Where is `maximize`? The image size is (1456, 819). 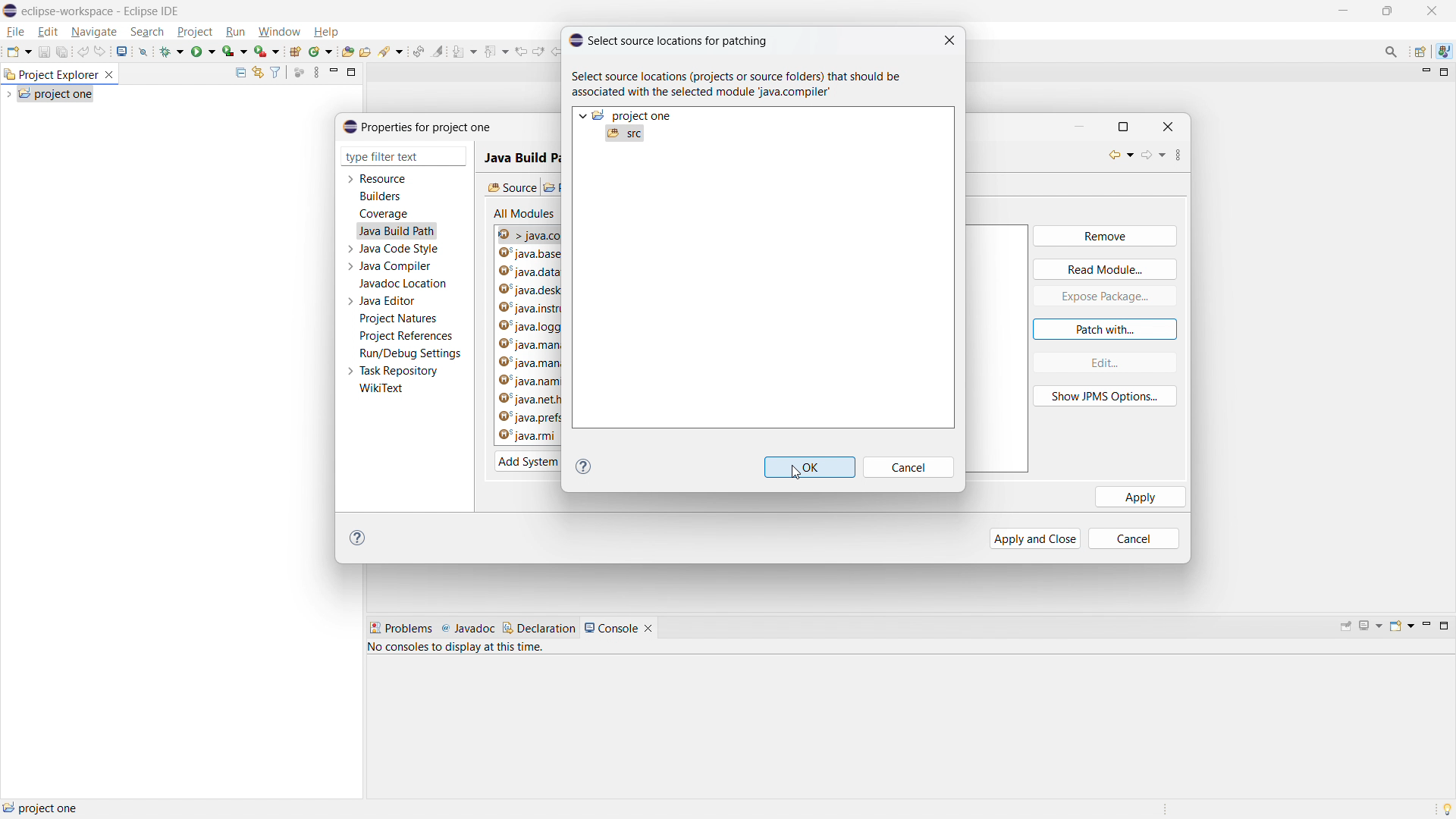
maximize is located at coordinates (1445, 73).